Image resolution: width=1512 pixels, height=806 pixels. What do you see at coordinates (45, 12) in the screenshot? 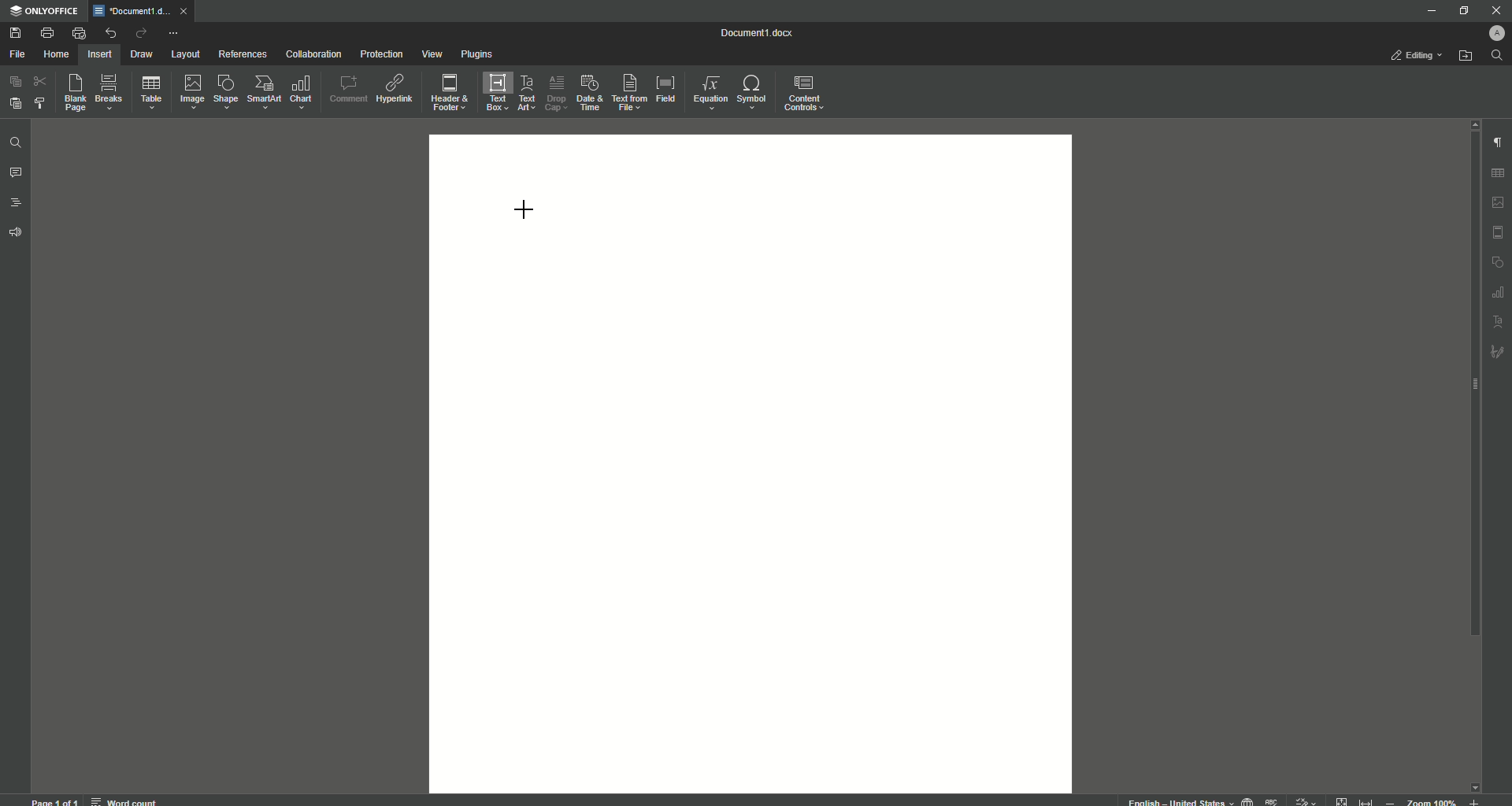
I see `ONLYOFFICE` at bounding box center [45, 12].